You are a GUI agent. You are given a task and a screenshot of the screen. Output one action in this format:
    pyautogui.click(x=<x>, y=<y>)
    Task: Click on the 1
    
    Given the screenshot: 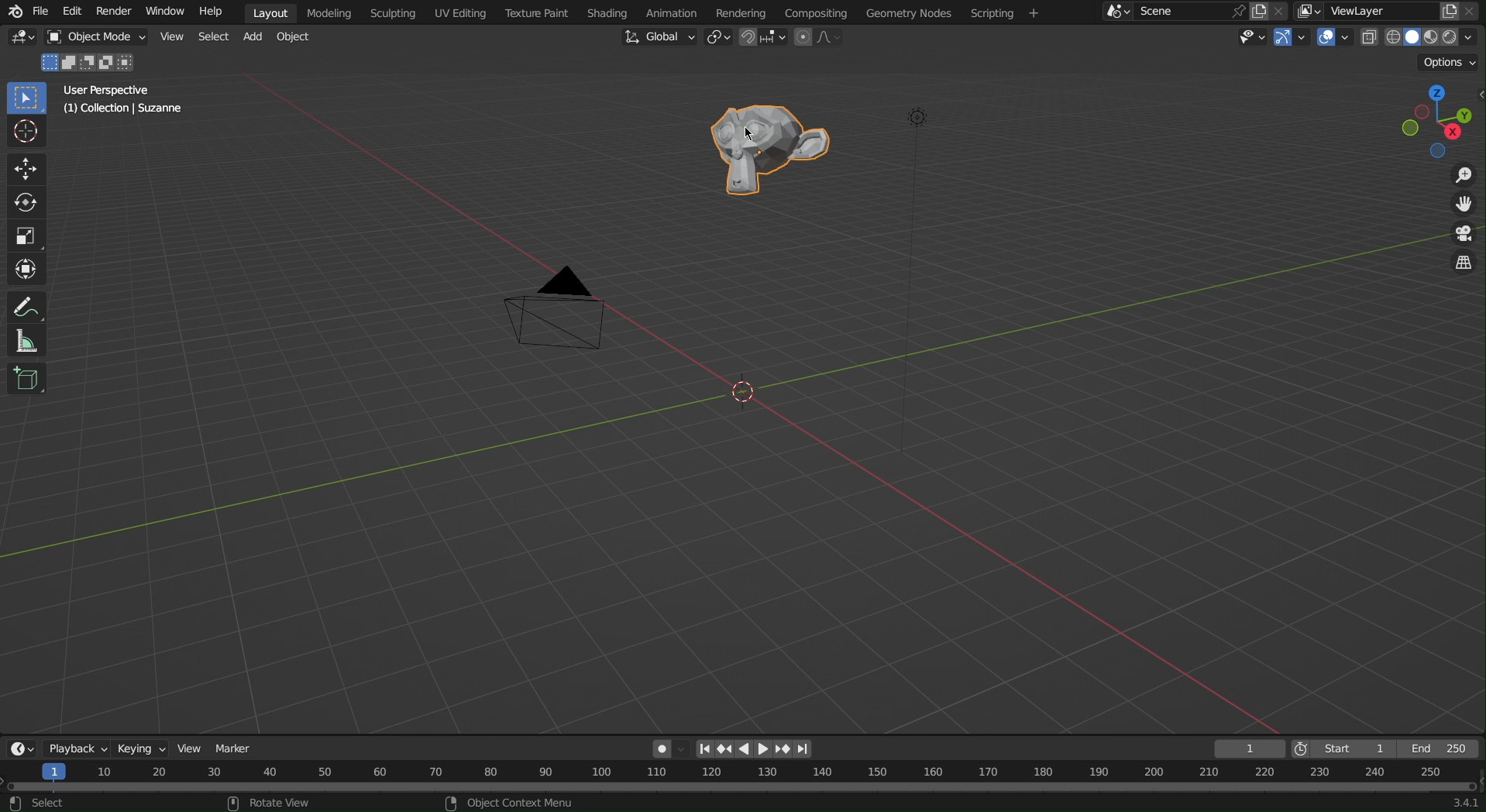 What is the action you would take?
    pyautogui.click(x=1250, y=749)
    